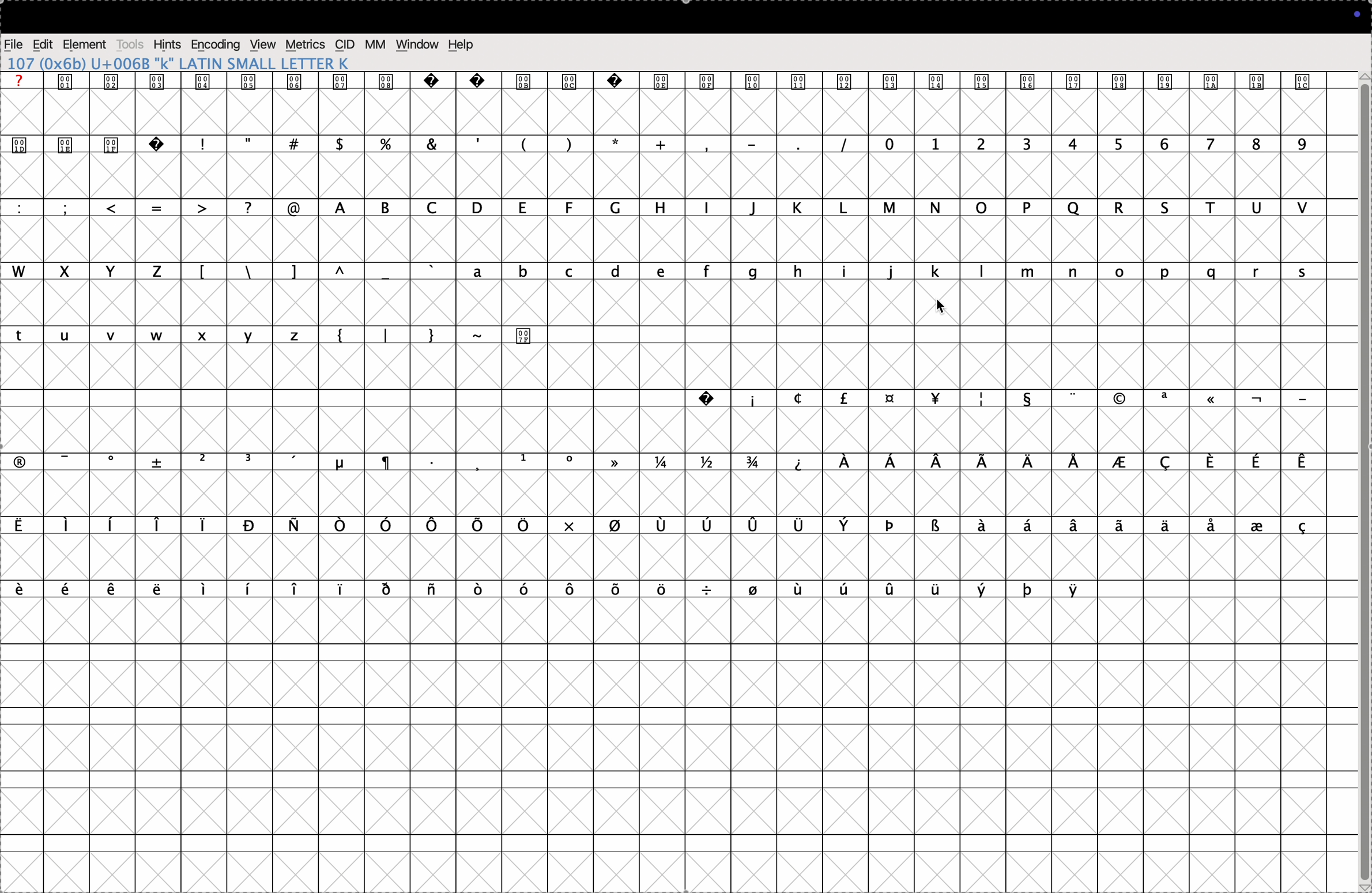 This screenshot has height=893, width=1372. I want to click on 2, so click(985, 143).